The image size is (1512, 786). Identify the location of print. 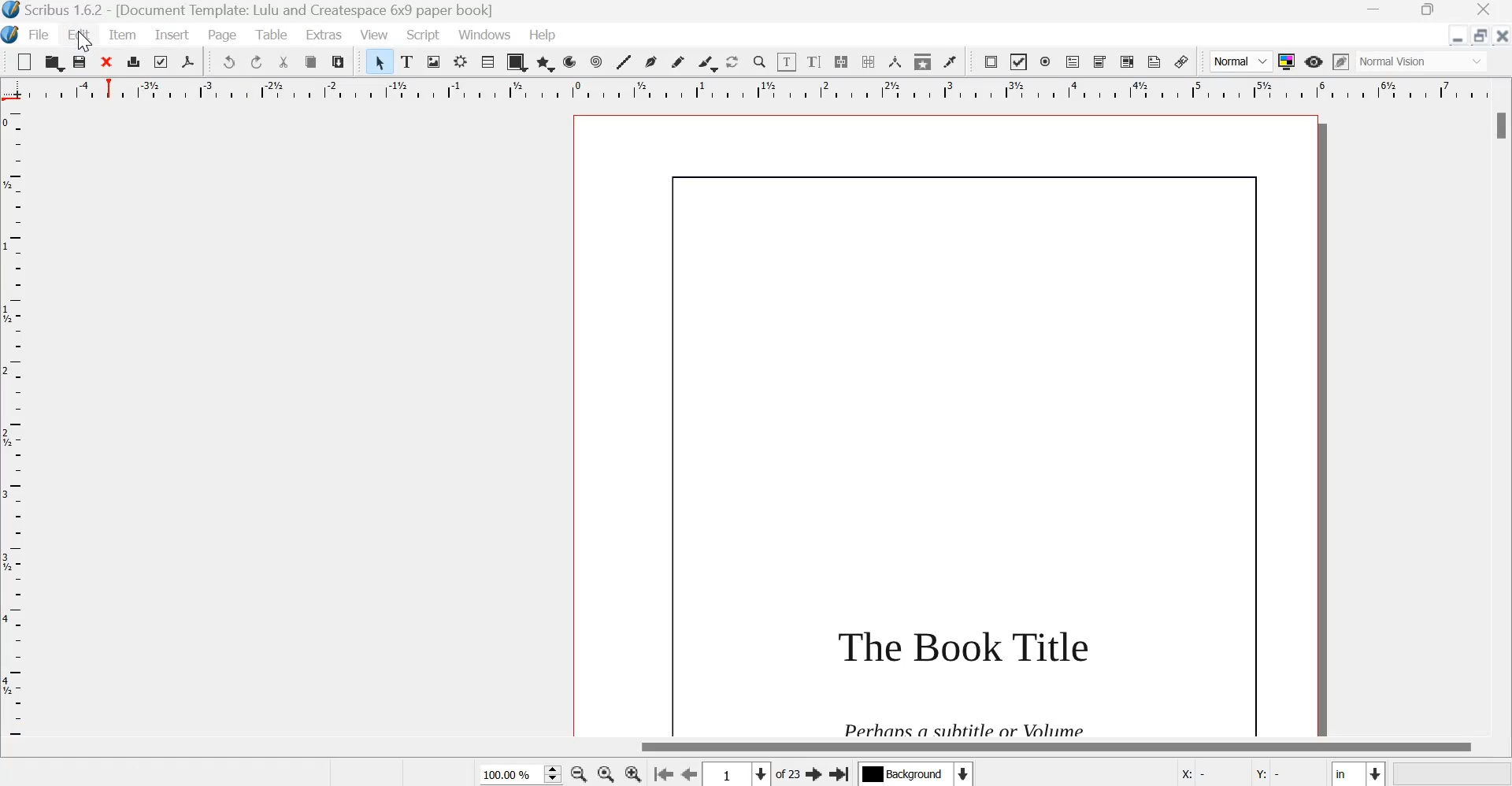
(133, 61).